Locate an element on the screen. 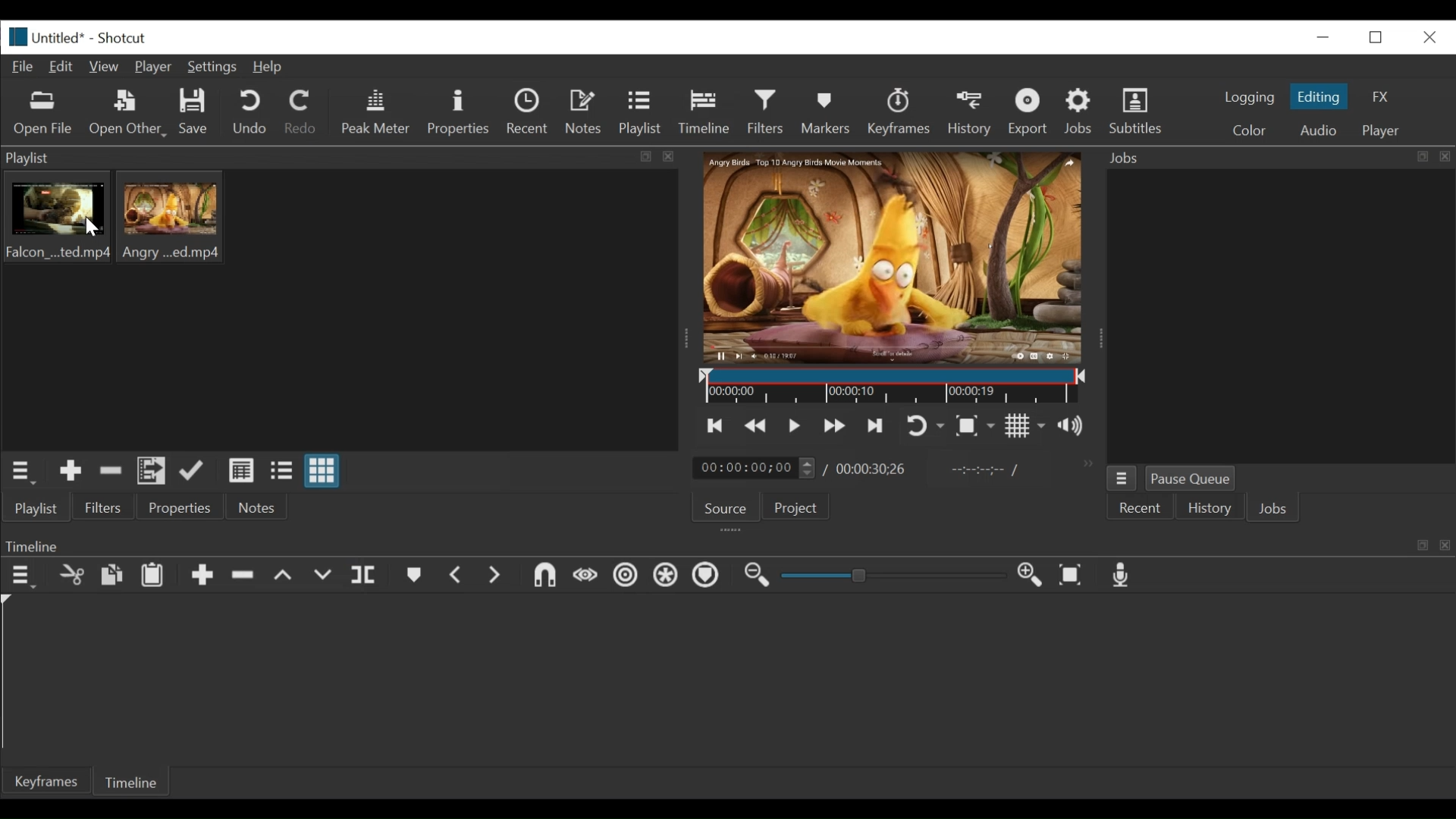  Filters is located at coordinates (770, 112).